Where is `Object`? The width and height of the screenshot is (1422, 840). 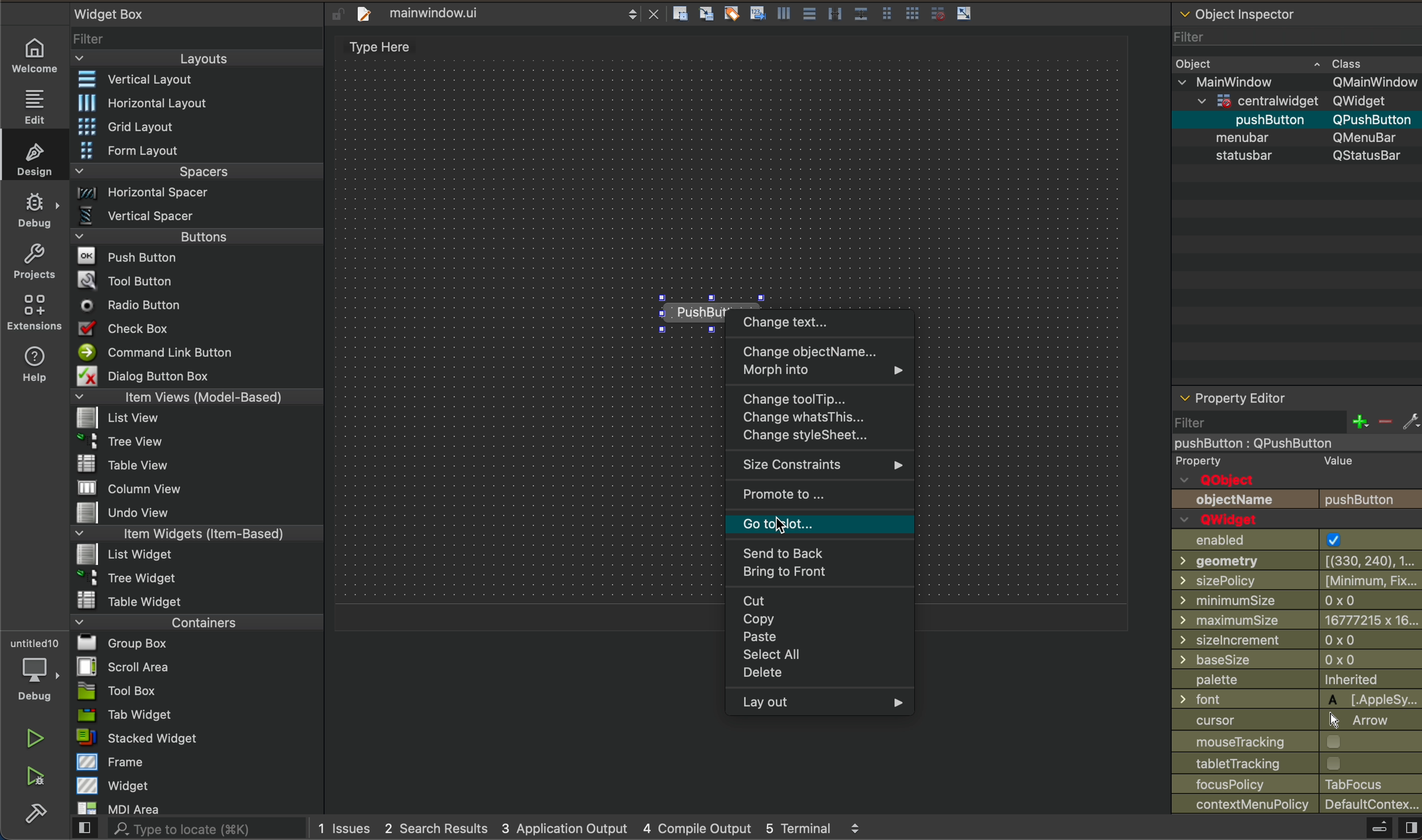 Object is located at coordinates (1196, 64).